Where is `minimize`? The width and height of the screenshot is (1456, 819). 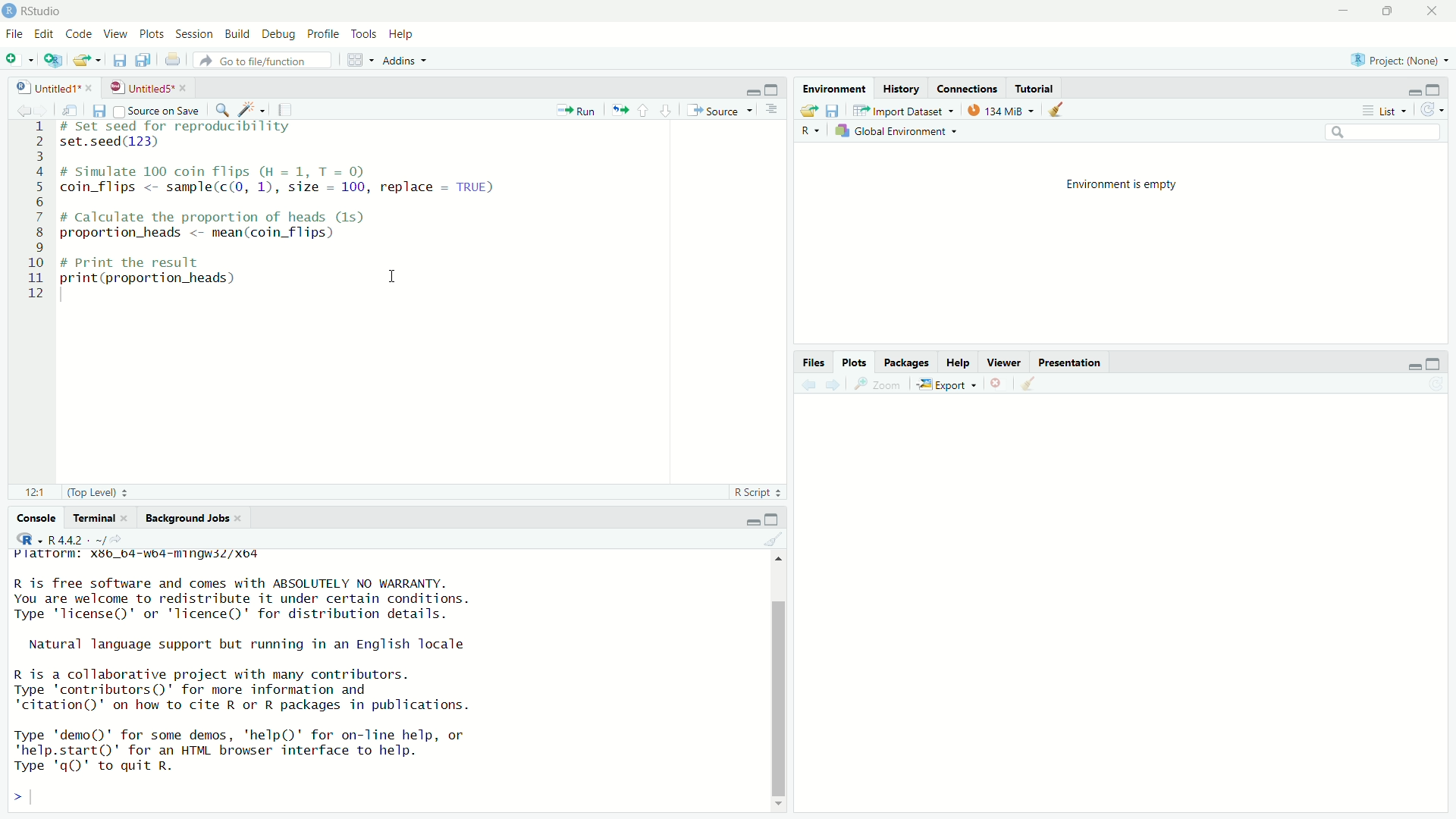 minimize is located at coordinates (1409, 88).